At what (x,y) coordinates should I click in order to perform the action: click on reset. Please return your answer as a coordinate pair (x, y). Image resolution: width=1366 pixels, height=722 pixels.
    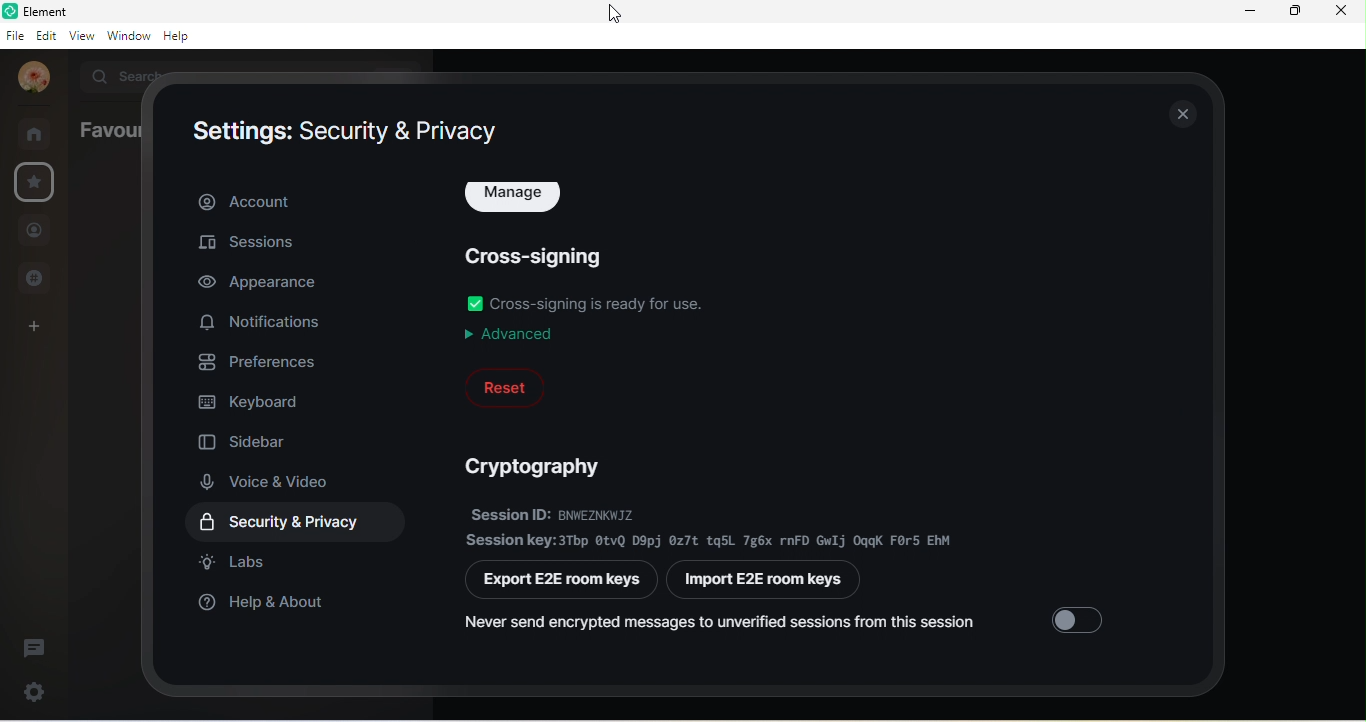
    Looking at the image, I should click on (506, 387).